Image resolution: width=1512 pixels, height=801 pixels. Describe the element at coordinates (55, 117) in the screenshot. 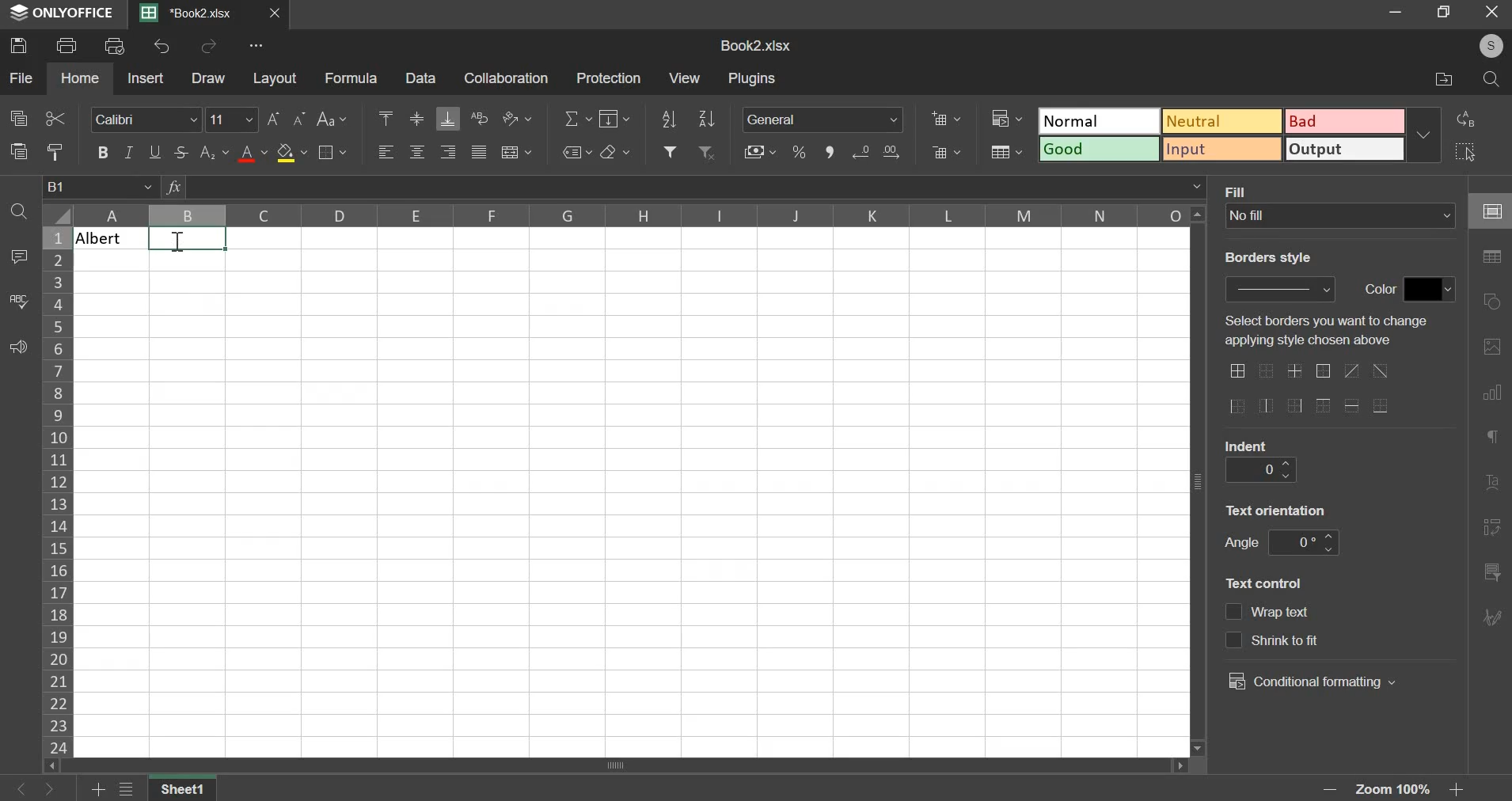

I see `cut` at that location.